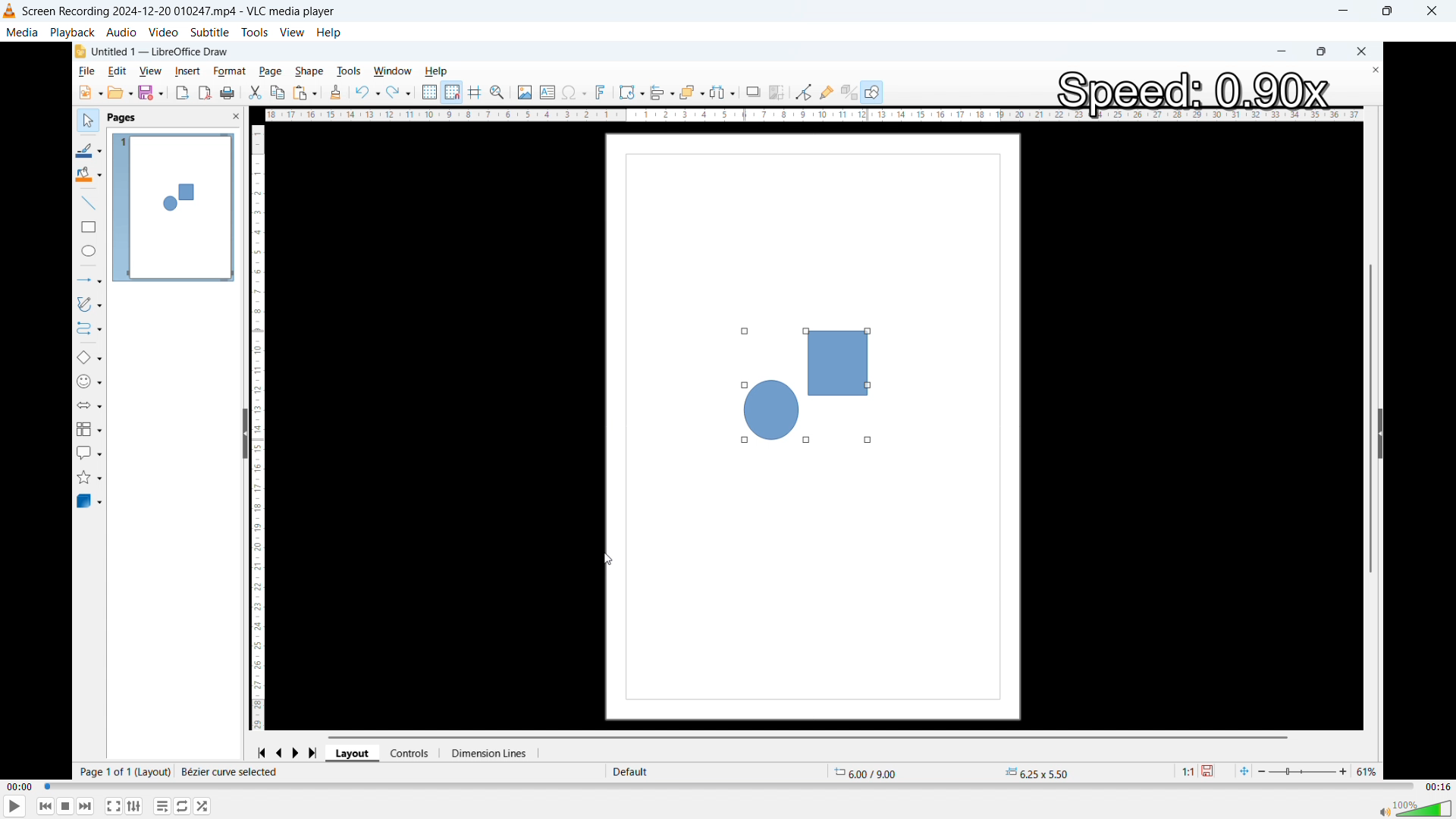 This screenshot has width=1456, height=819. What do you see at coordinates (1347, 11) in the screenshot?
I see `minimise ` at bounding box center [1347, 11].